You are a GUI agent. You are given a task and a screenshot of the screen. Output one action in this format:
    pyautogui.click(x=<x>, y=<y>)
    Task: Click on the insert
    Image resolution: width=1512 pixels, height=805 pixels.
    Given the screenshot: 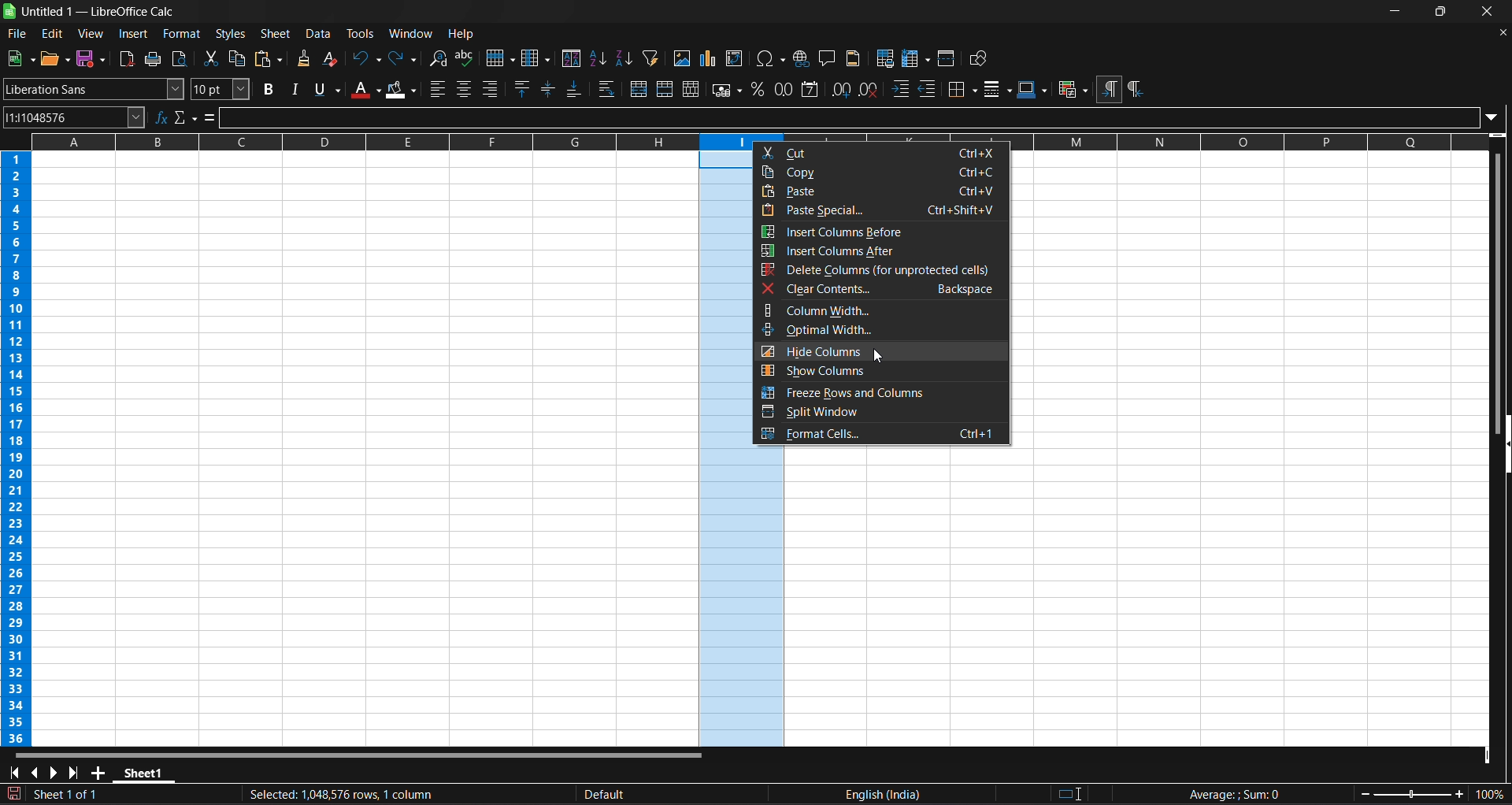 What is the action you would take?
    pyautogui.click(x=134, y=34)
    